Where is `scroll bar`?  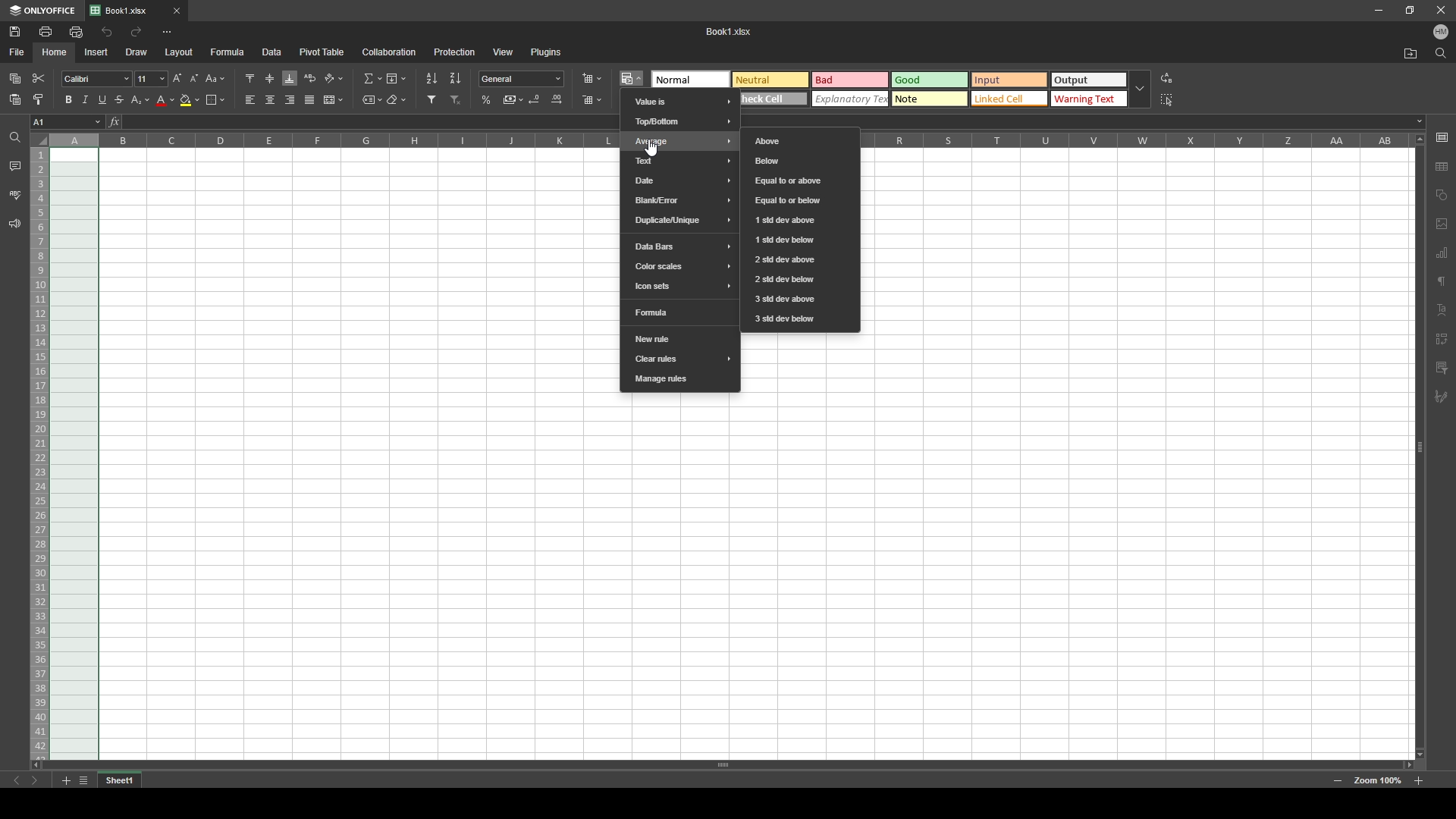 scroll bar is located at coordinates (1423, 446).